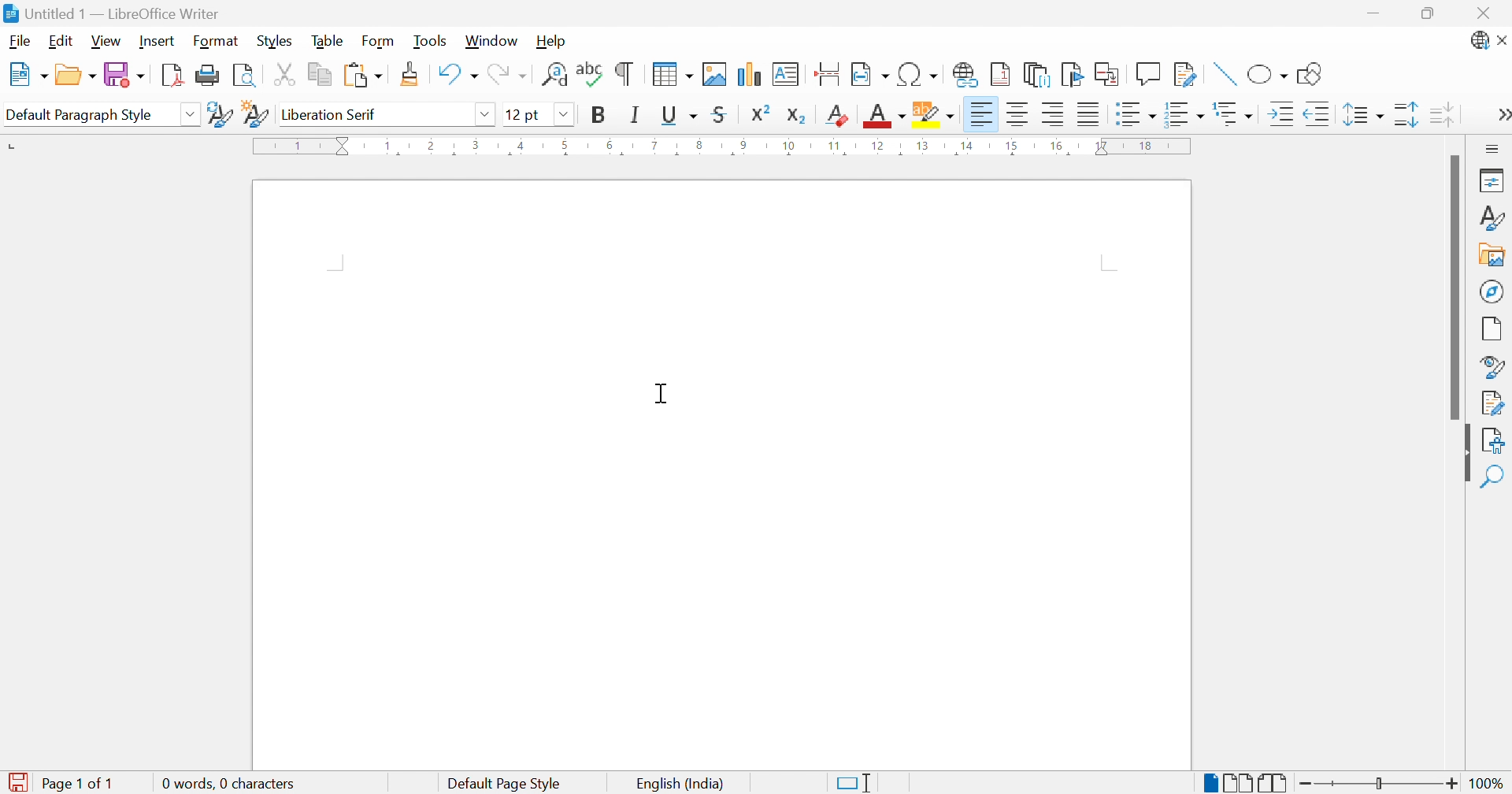  I want to click on Zoom out, so click(1306, 784).